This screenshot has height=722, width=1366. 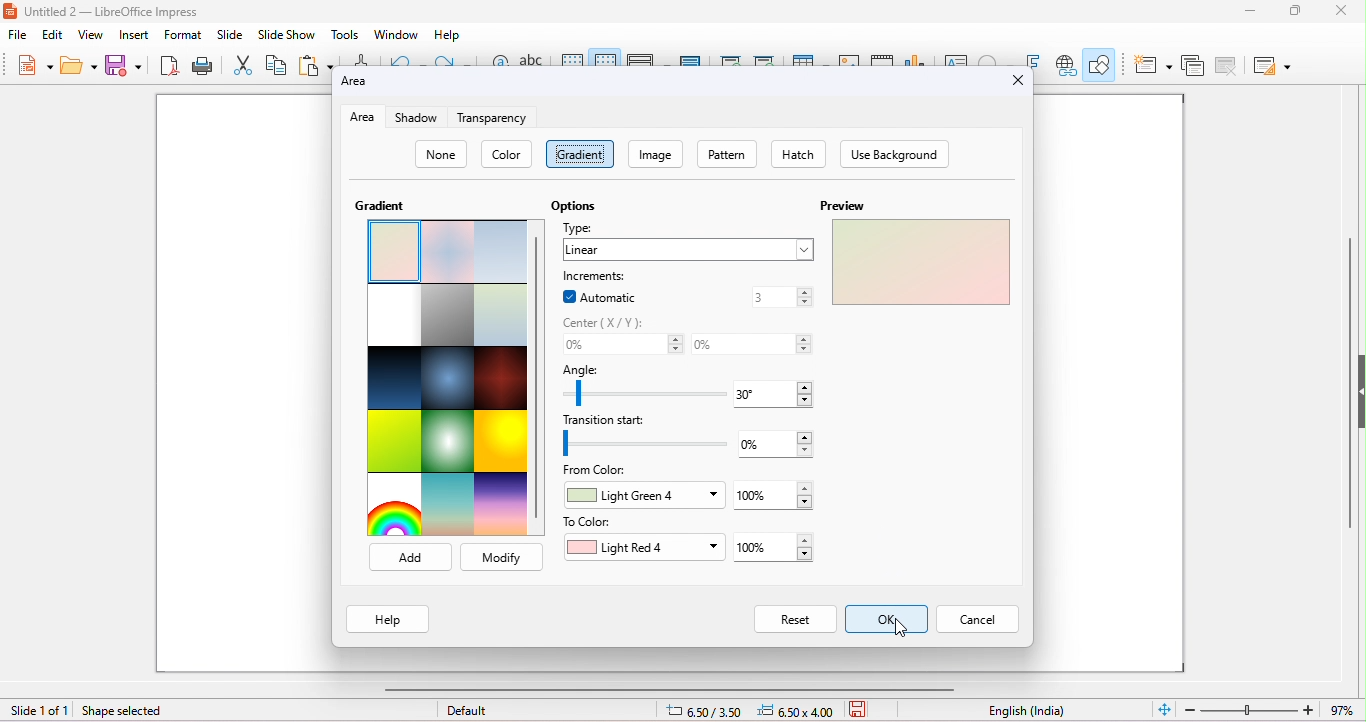 What do you see at coordinates (501, 557) in the screenshot?
I see `cancel` at bounding box center [501, 557].